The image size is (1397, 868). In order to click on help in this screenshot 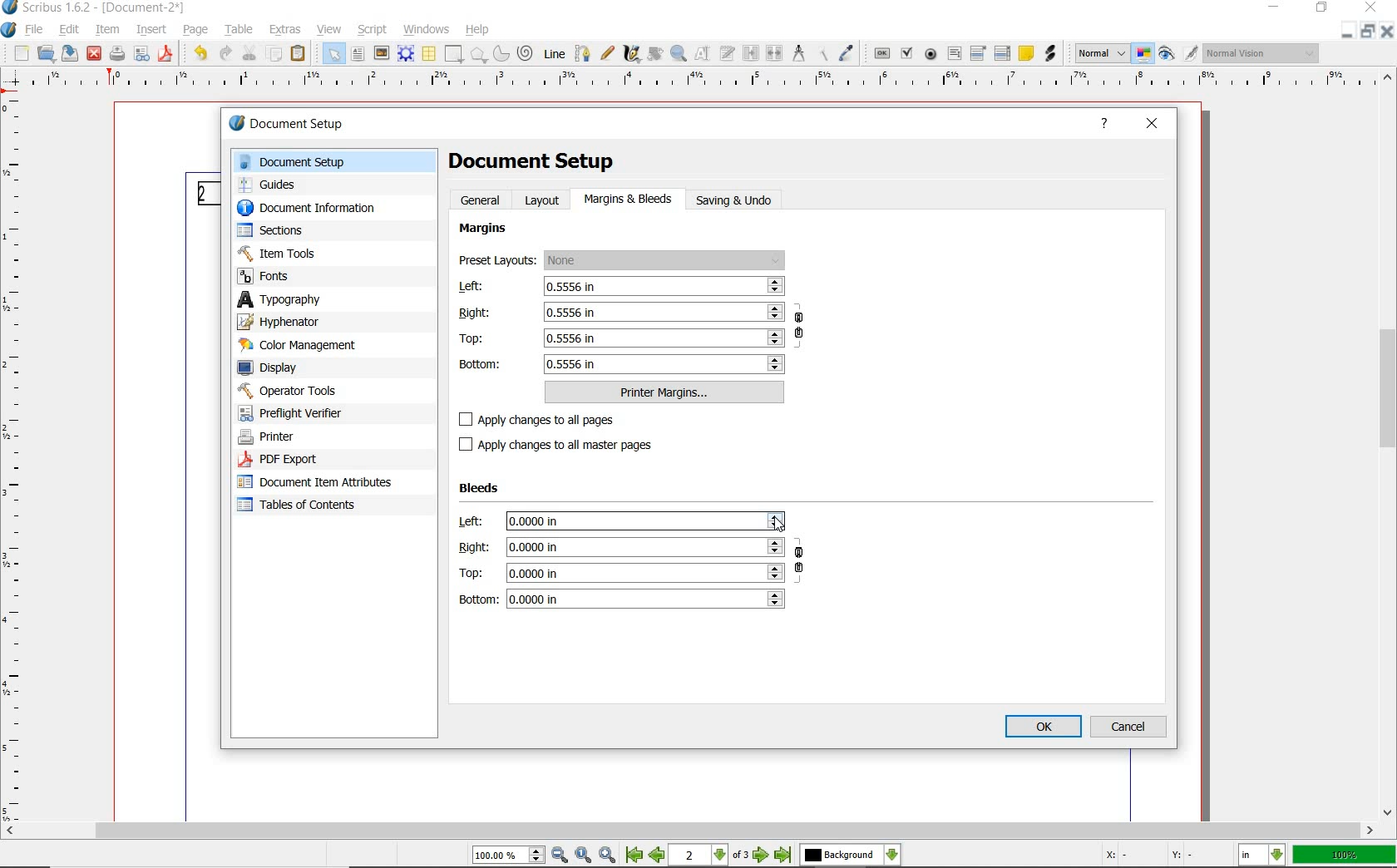, I will do `click(1108, 124)`.